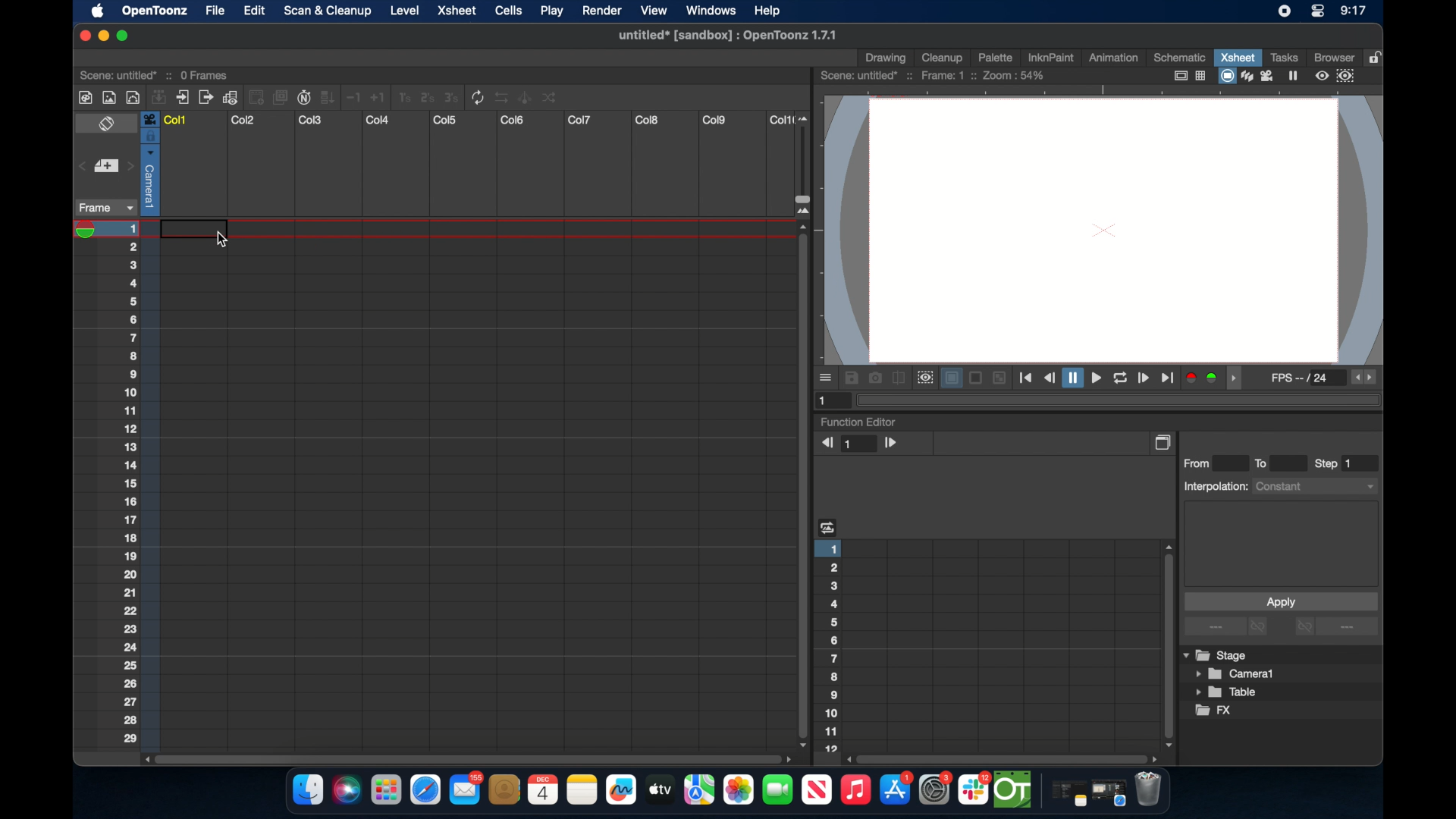 The width and height of the screenshot is (1456, 819). Describe the element at coordinates (825, 400) in the screenshot. I see `1` at that location.